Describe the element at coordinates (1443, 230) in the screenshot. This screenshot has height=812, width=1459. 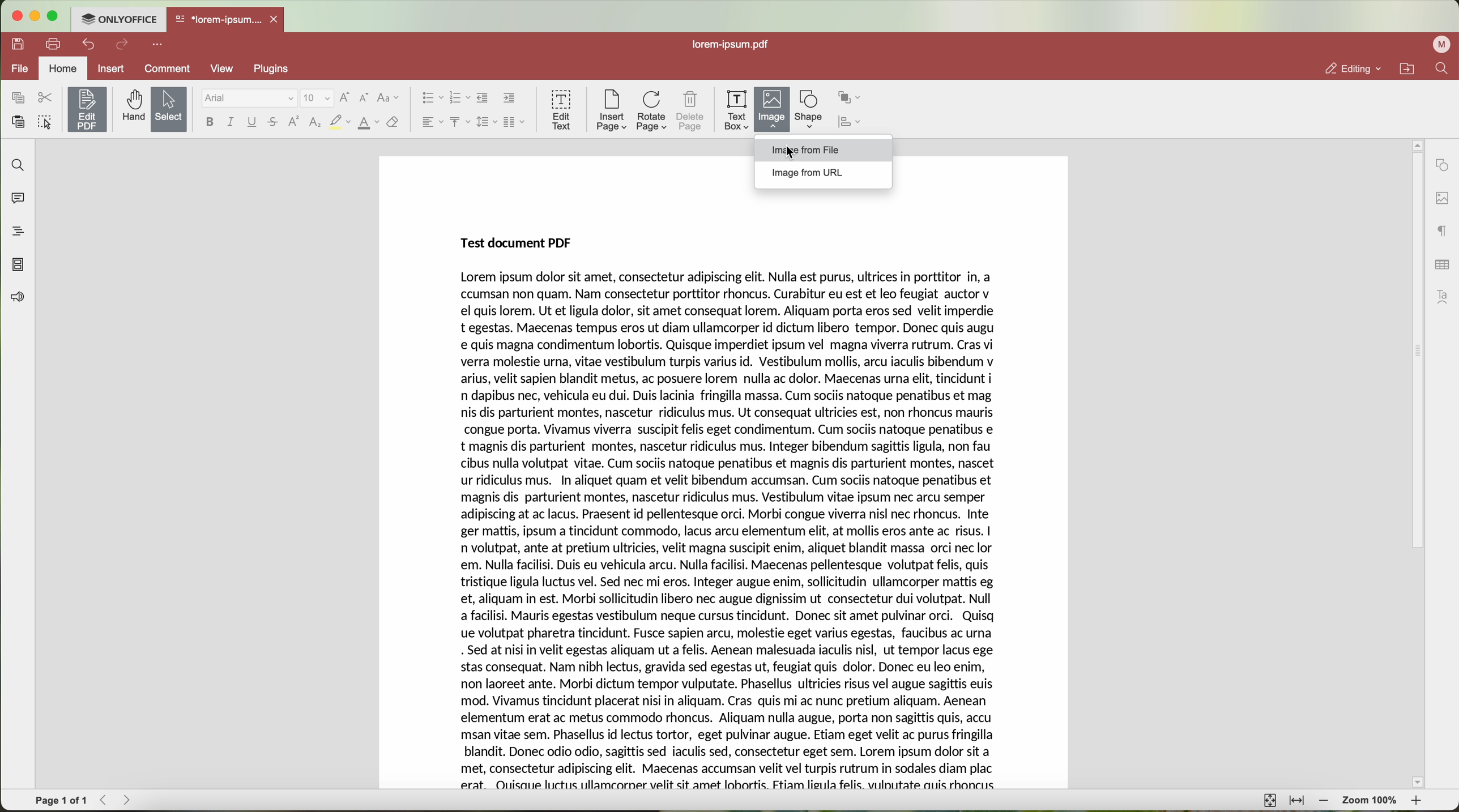
I see `paragraph settings` at that location.